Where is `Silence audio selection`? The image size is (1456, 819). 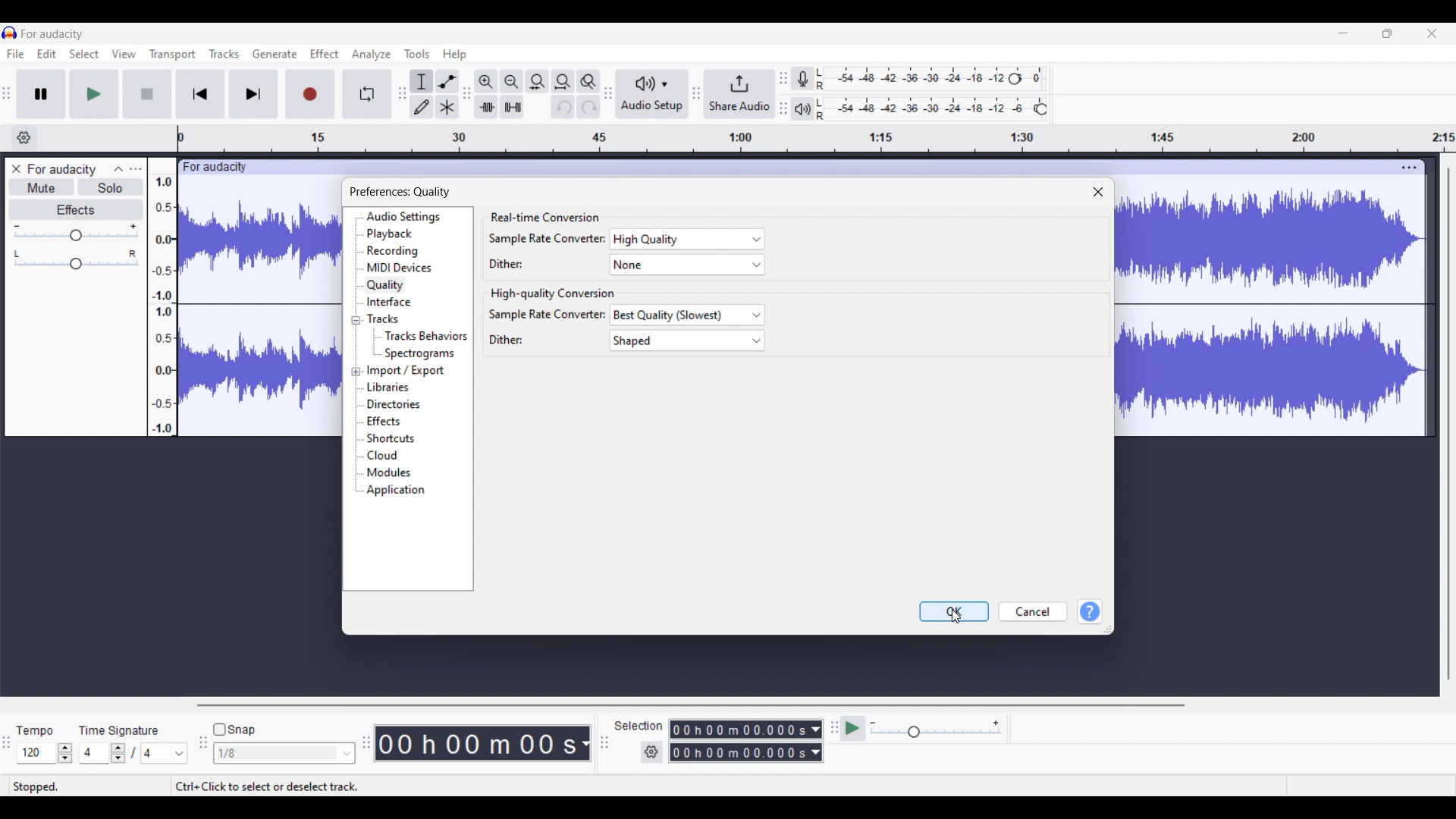 Silence audio selection is located at coordinates (513, 107).